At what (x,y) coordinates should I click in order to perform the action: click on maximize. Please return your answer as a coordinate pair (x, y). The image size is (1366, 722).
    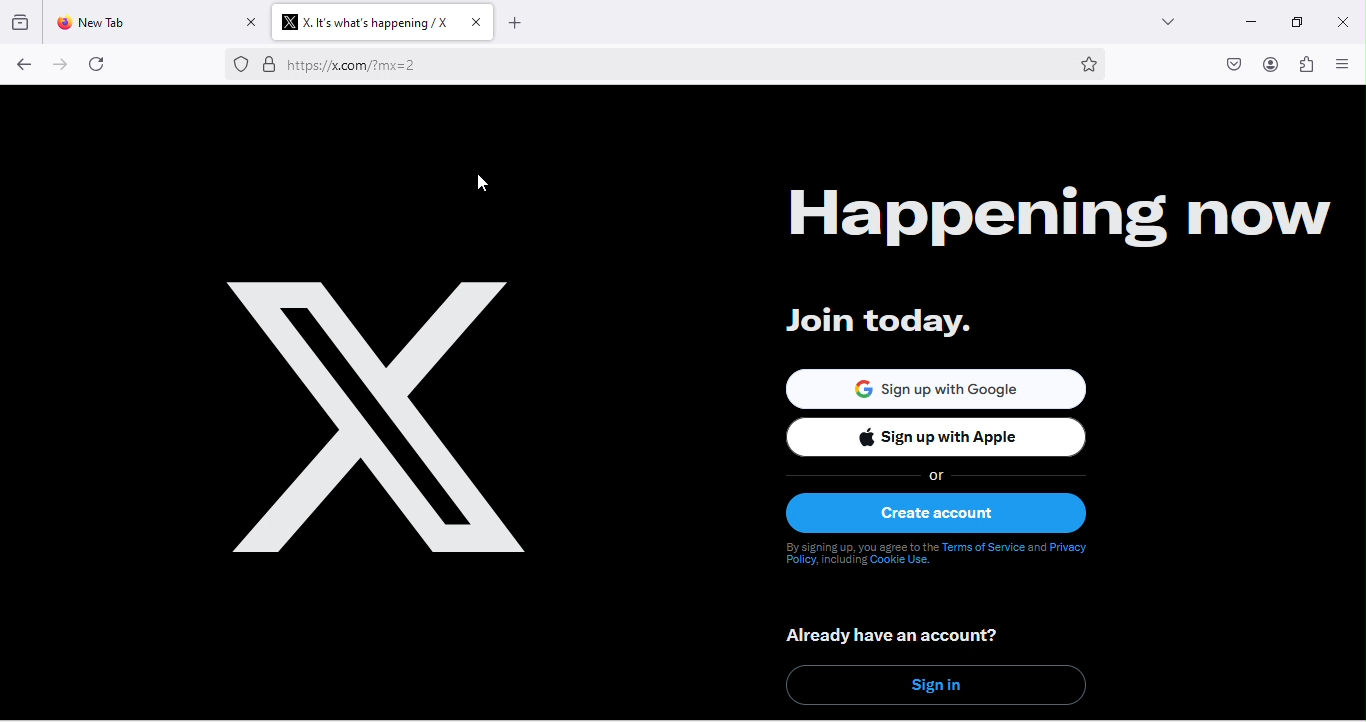
    Looking at the image, I should click on (1298, 22).